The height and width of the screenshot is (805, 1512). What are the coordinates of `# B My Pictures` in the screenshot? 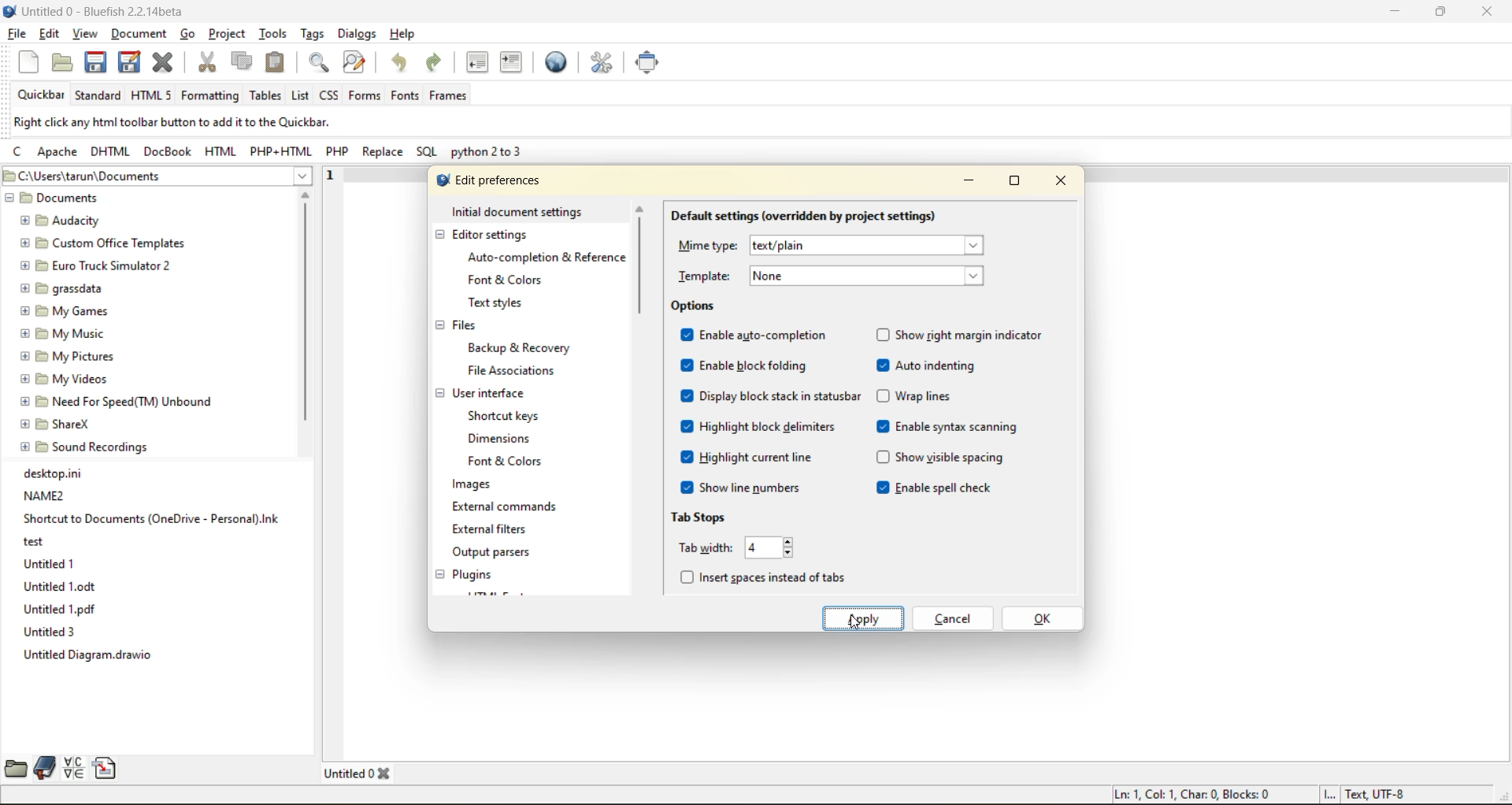 It's located at (69, 355).